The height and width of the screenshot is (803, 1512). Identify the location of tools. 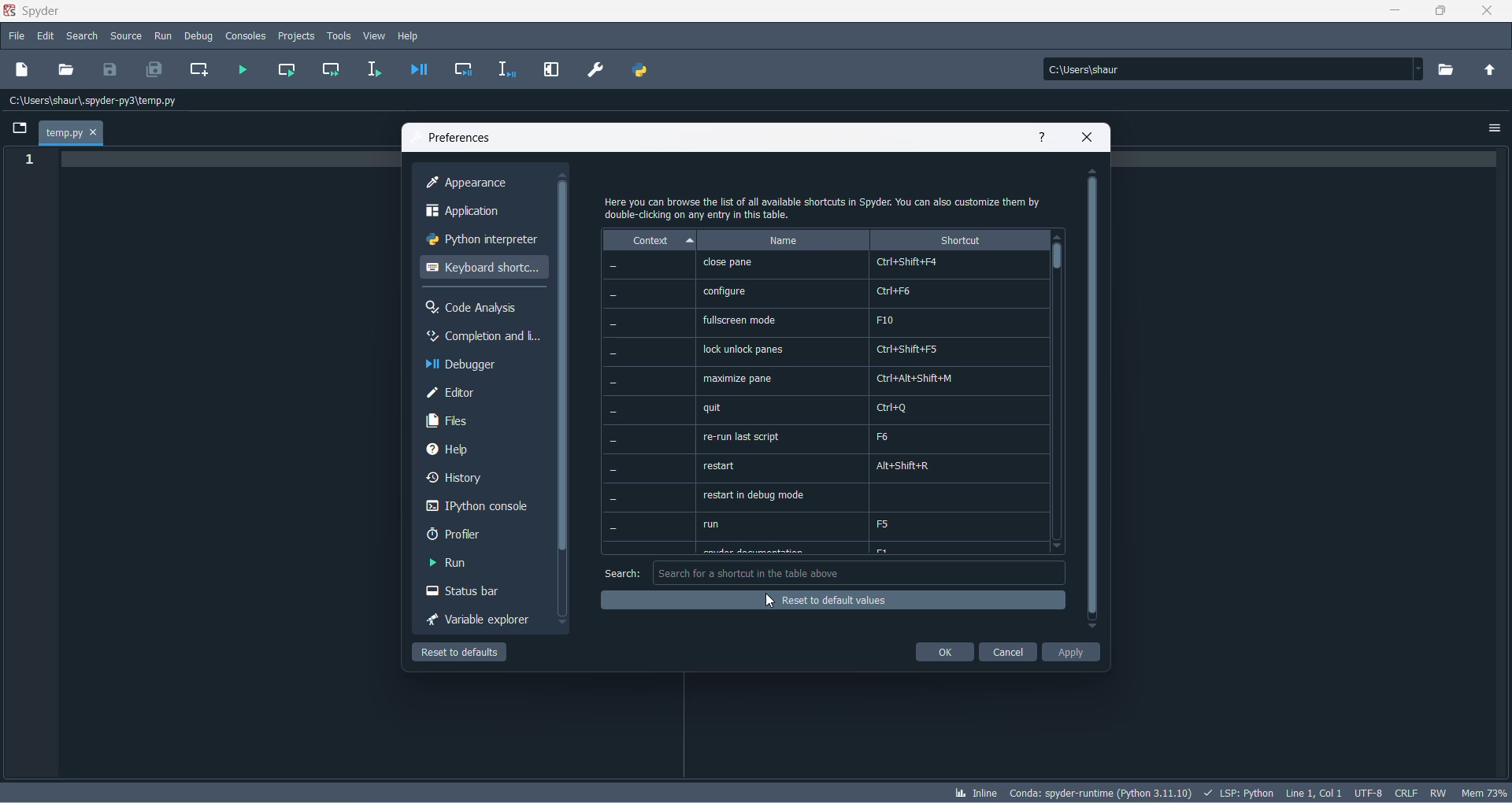
(339, 35).